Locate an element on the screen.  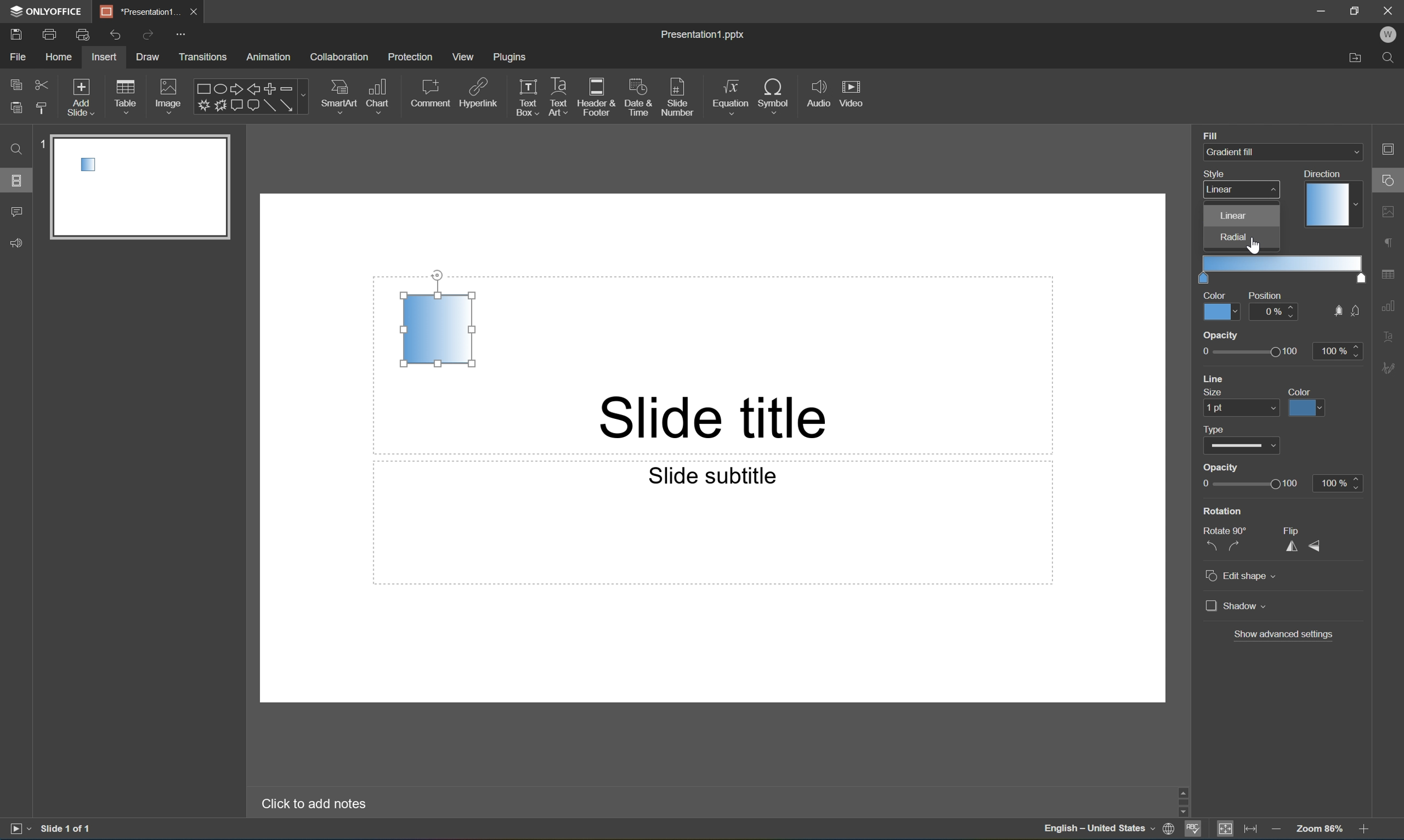
line is located at coordinates (1215, 380).